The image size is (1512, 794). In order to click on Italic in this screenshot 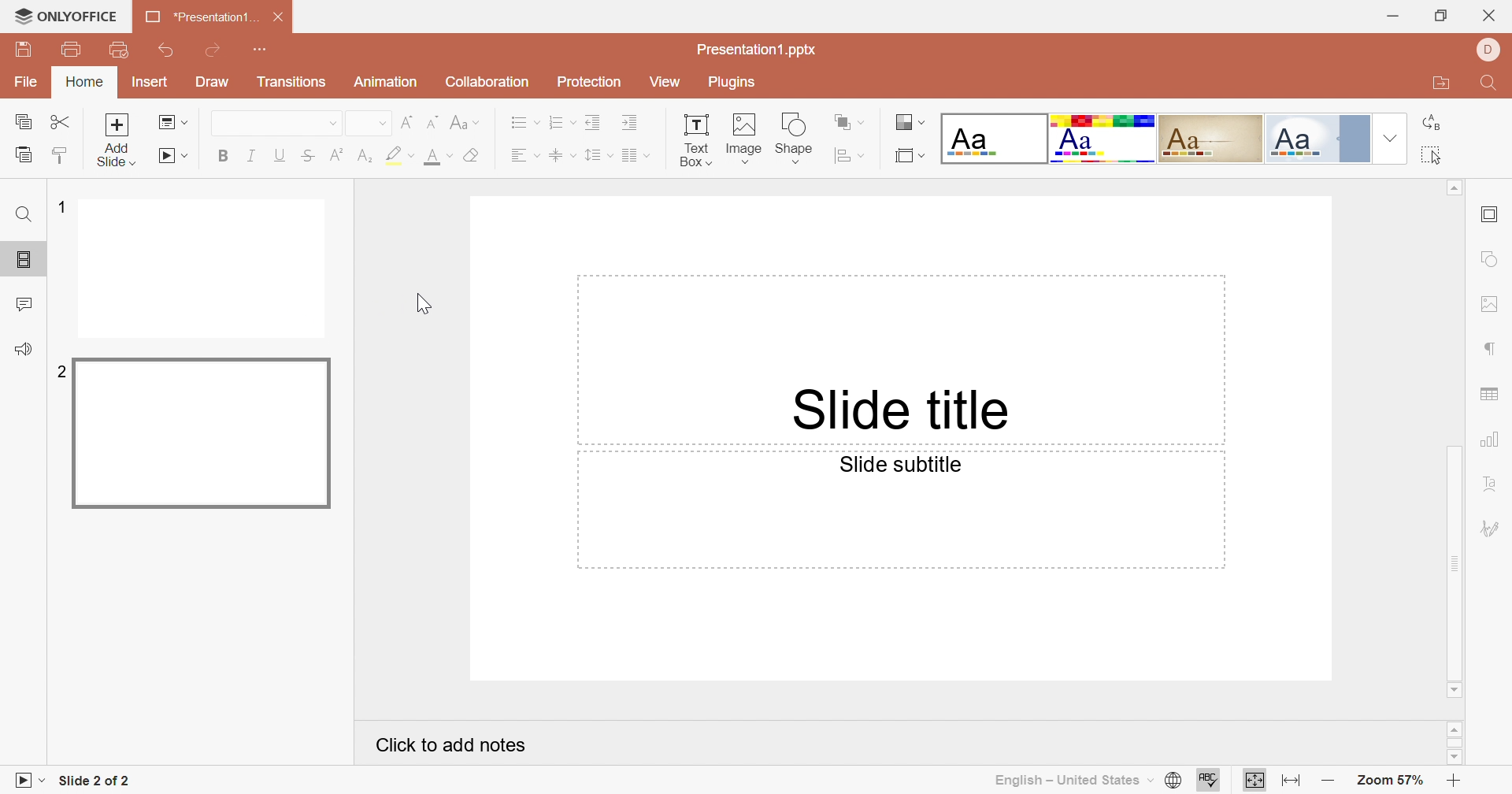, I will do `click(253, 156)`.